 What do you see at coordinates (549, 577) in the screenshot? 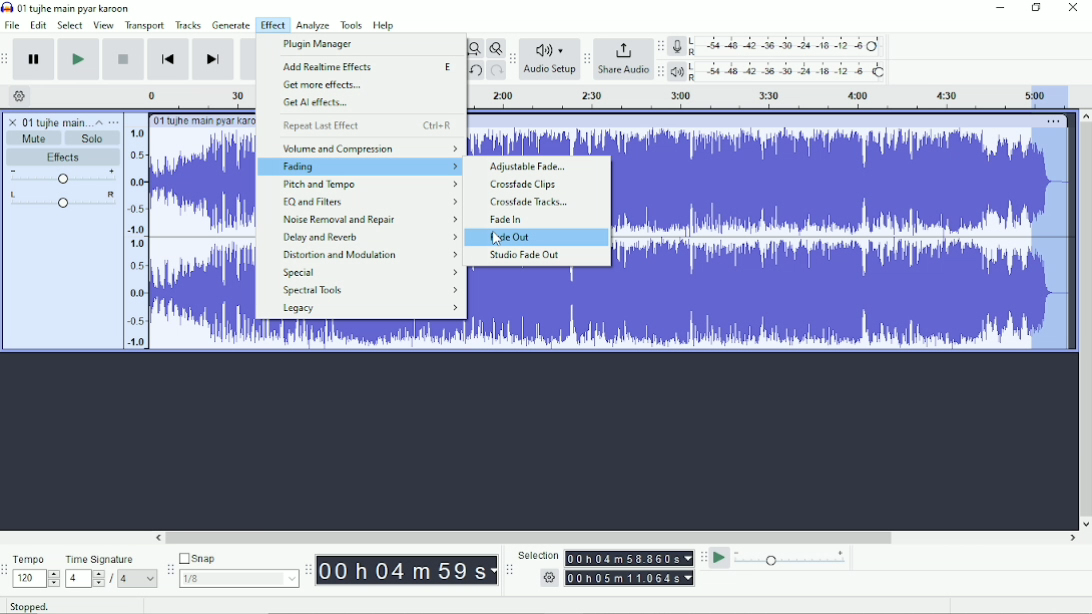
I see `settings` at bounding box center [549, 577].